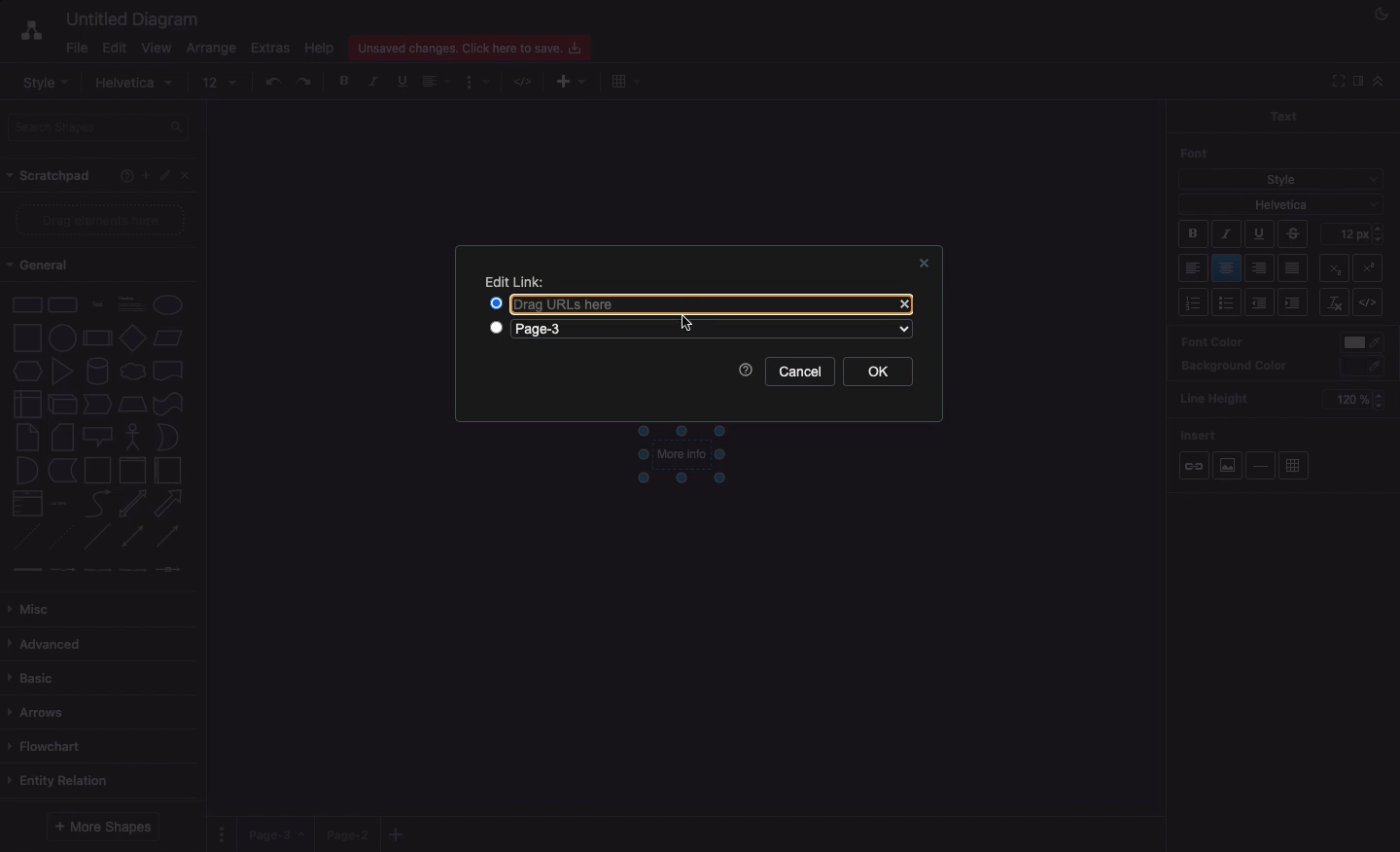 The height and width of the screenshot is (852, 1400). I want to click on Helvetica, so click(1281, 203).